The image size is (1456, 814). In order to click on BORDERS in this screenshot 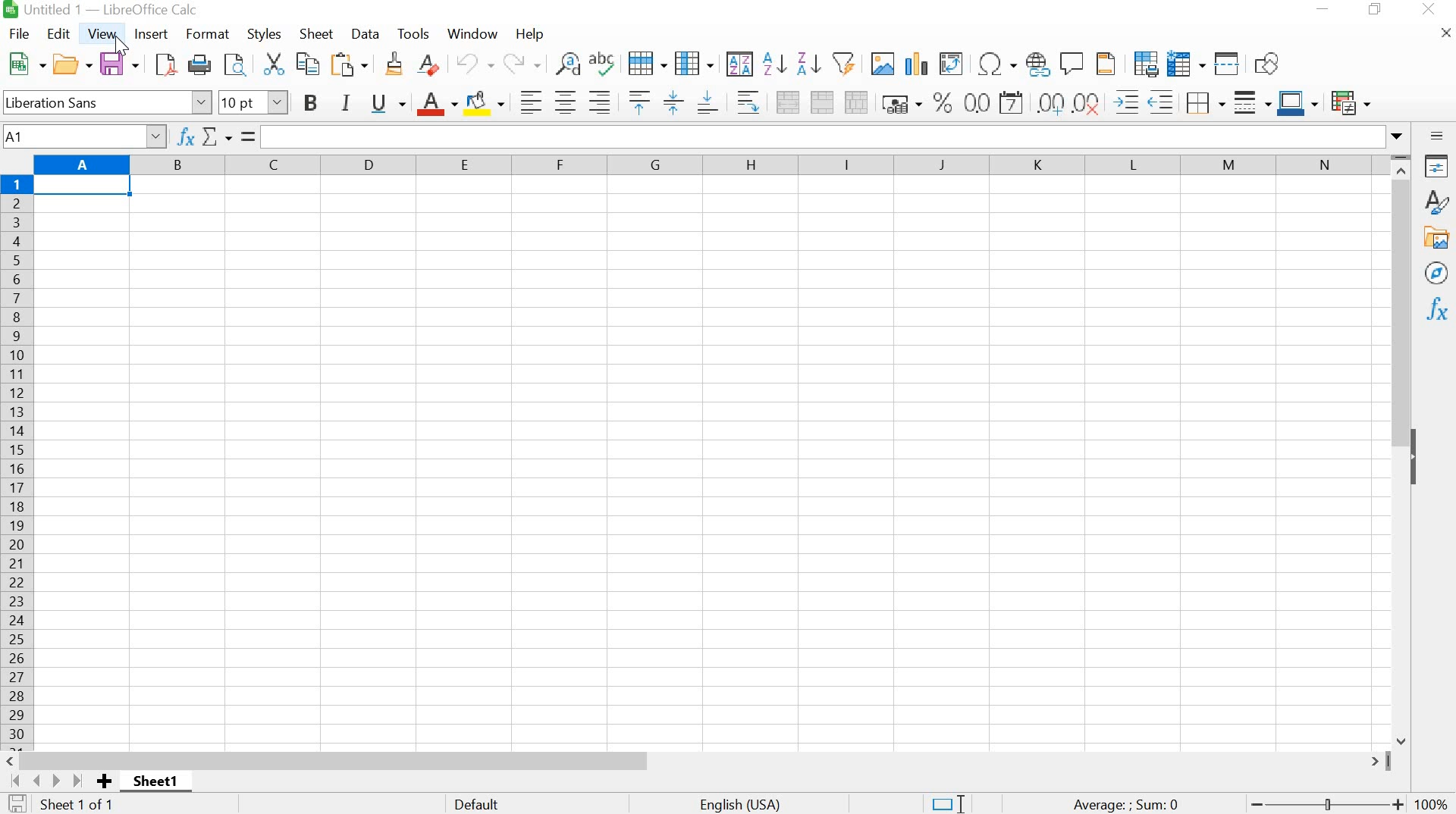, I will do `click(1203, 104)`.